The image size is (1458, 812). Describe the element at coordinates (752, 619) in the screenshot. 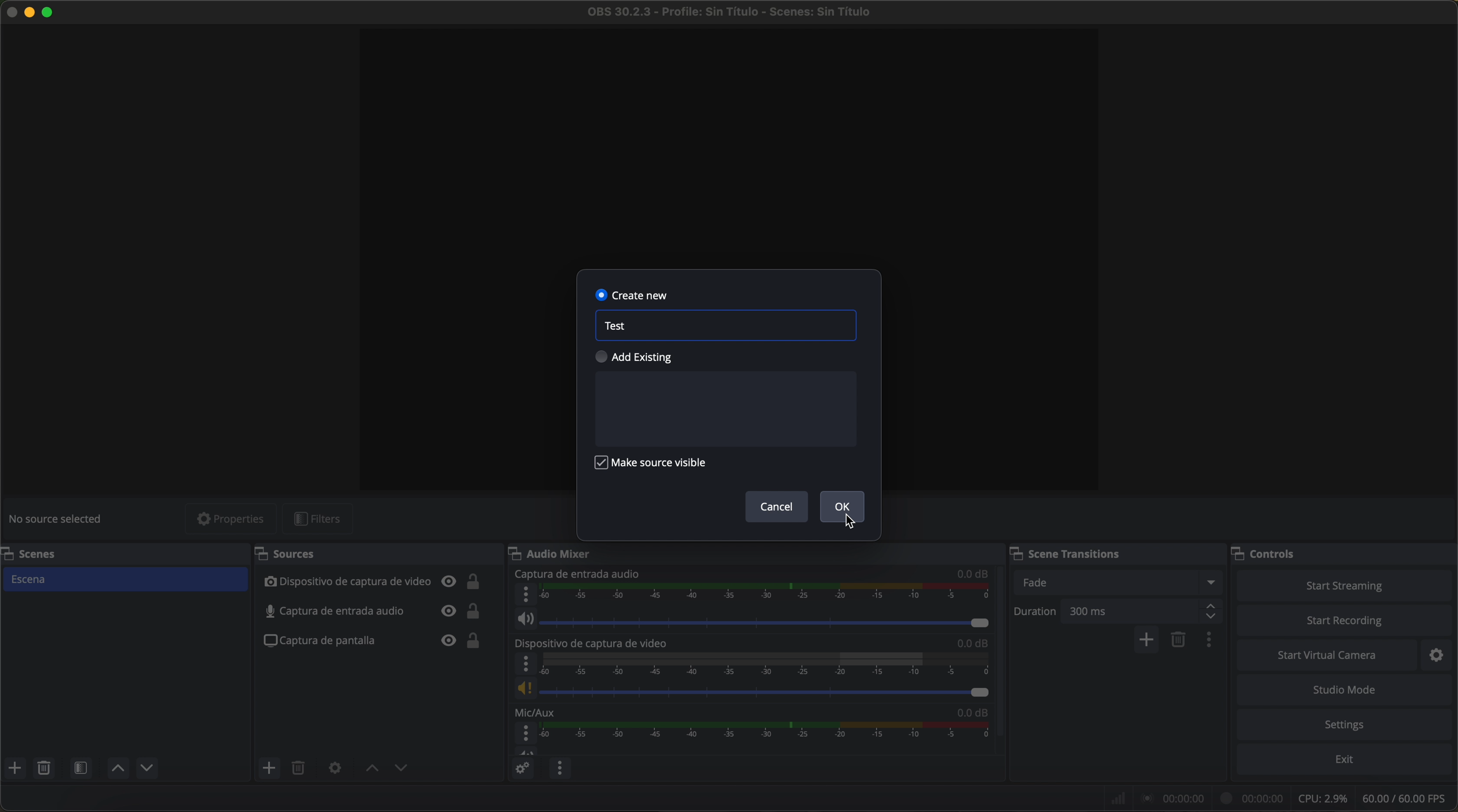

I see `vol` at that location.